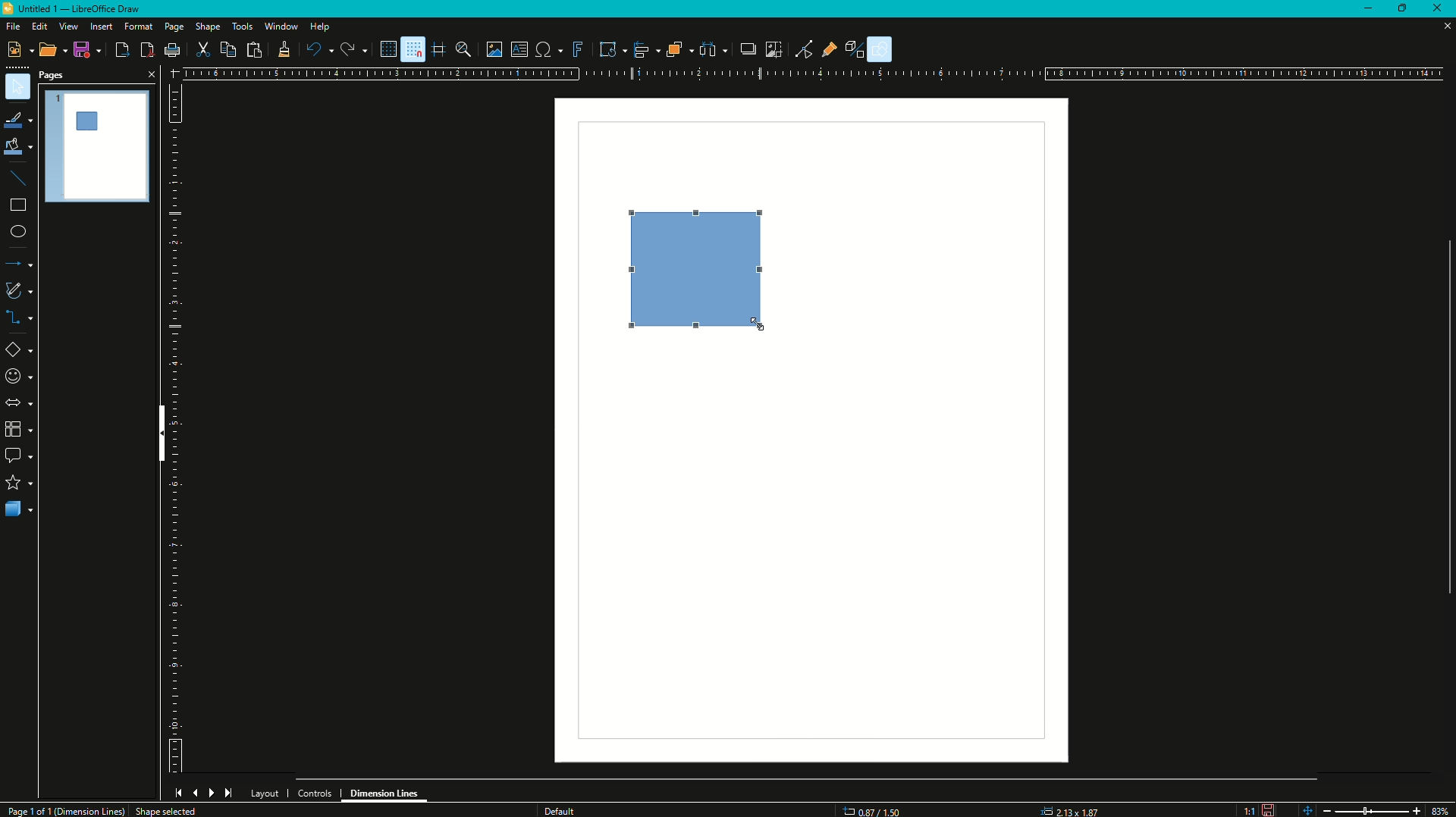 The width and height of the screenshot is (1456, 817). Describe the element at coordinates (1416, 810) in the screenshot. I see `Zoom in` at that location.